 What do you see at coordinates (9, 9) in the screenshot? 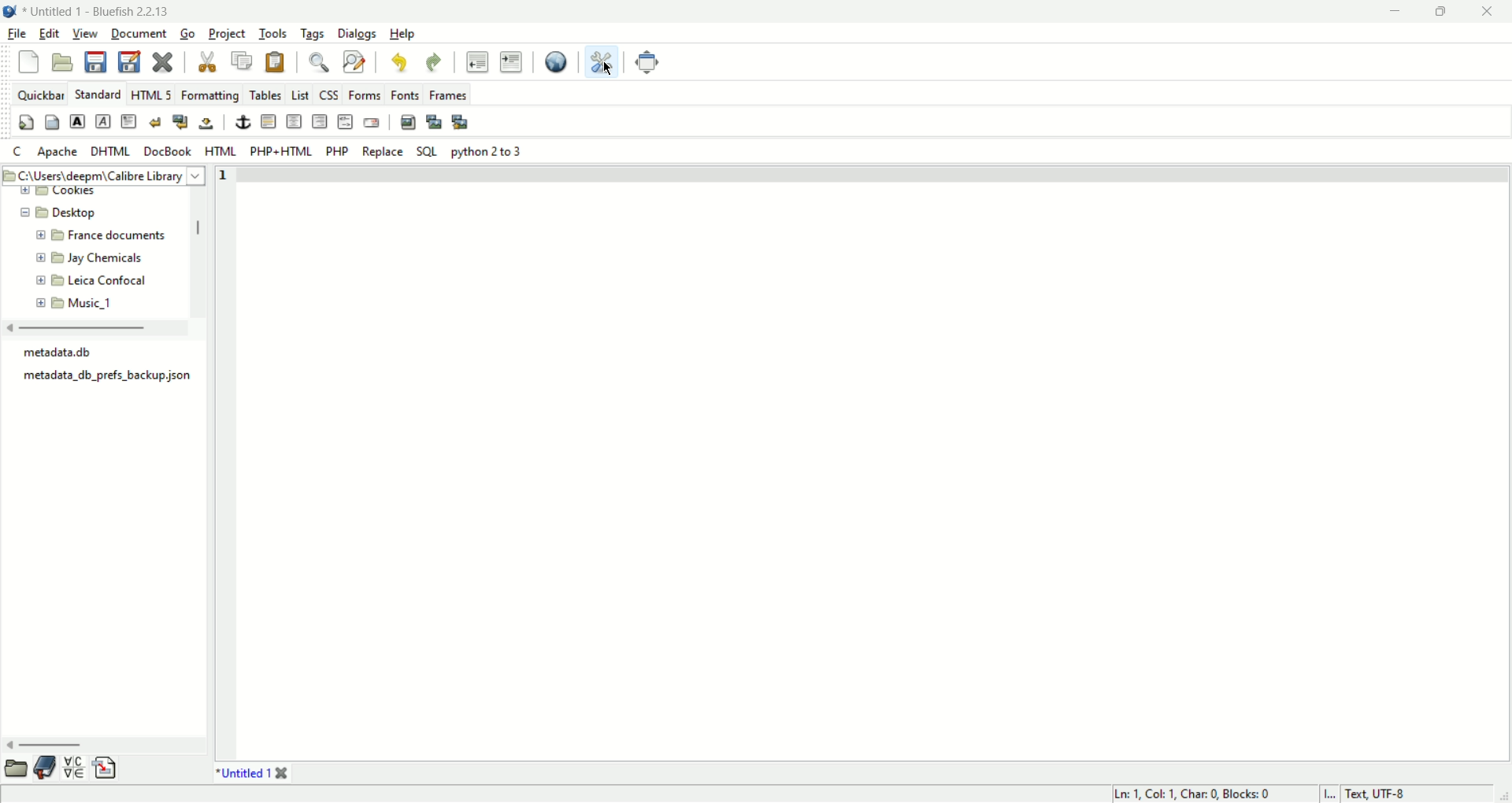
I see `application icon` at bounding box center [9, 9].